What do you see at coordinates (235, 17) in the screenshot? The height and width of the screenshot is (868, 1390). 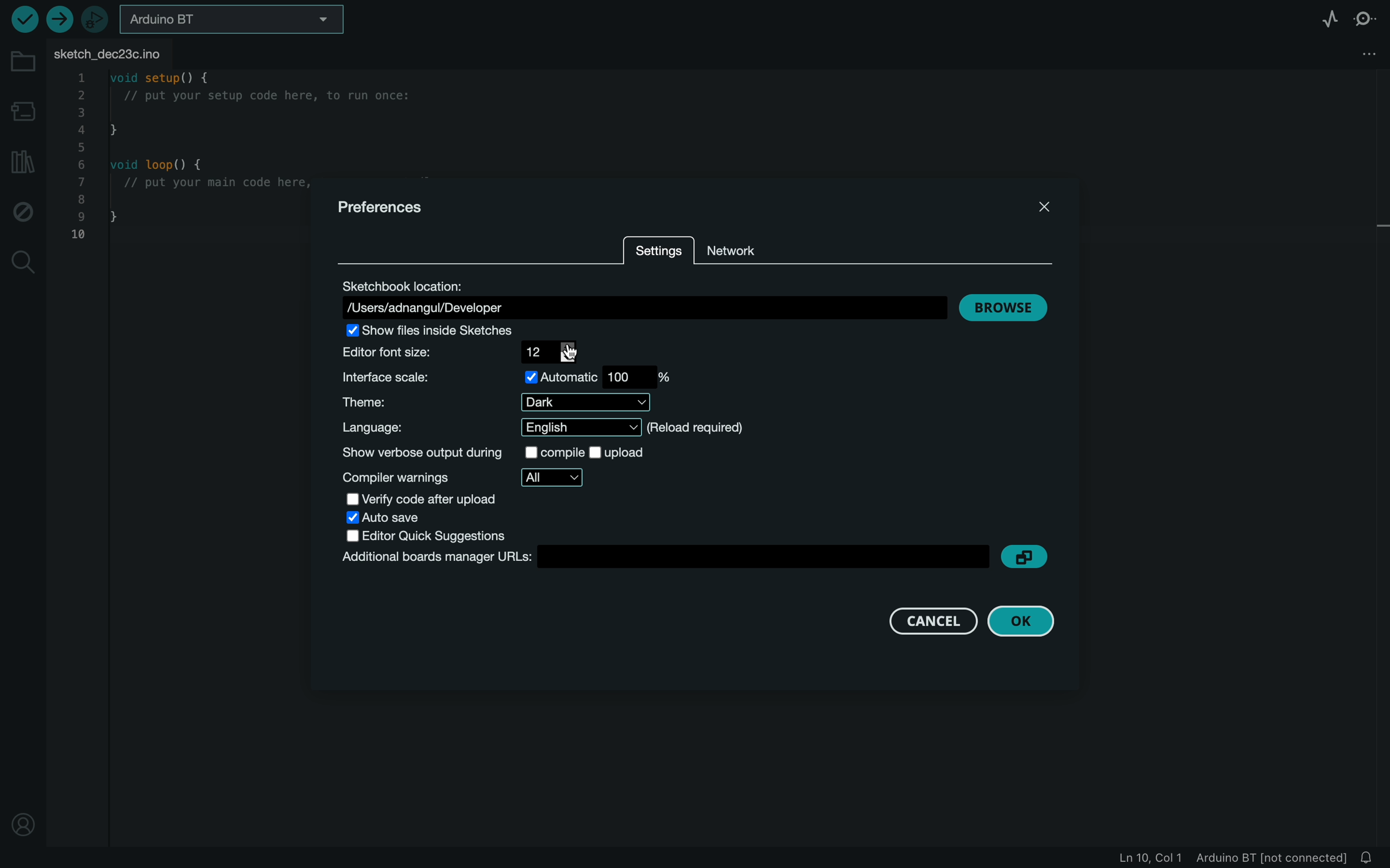 I see `board selecter` at bounding box center [235, 17].